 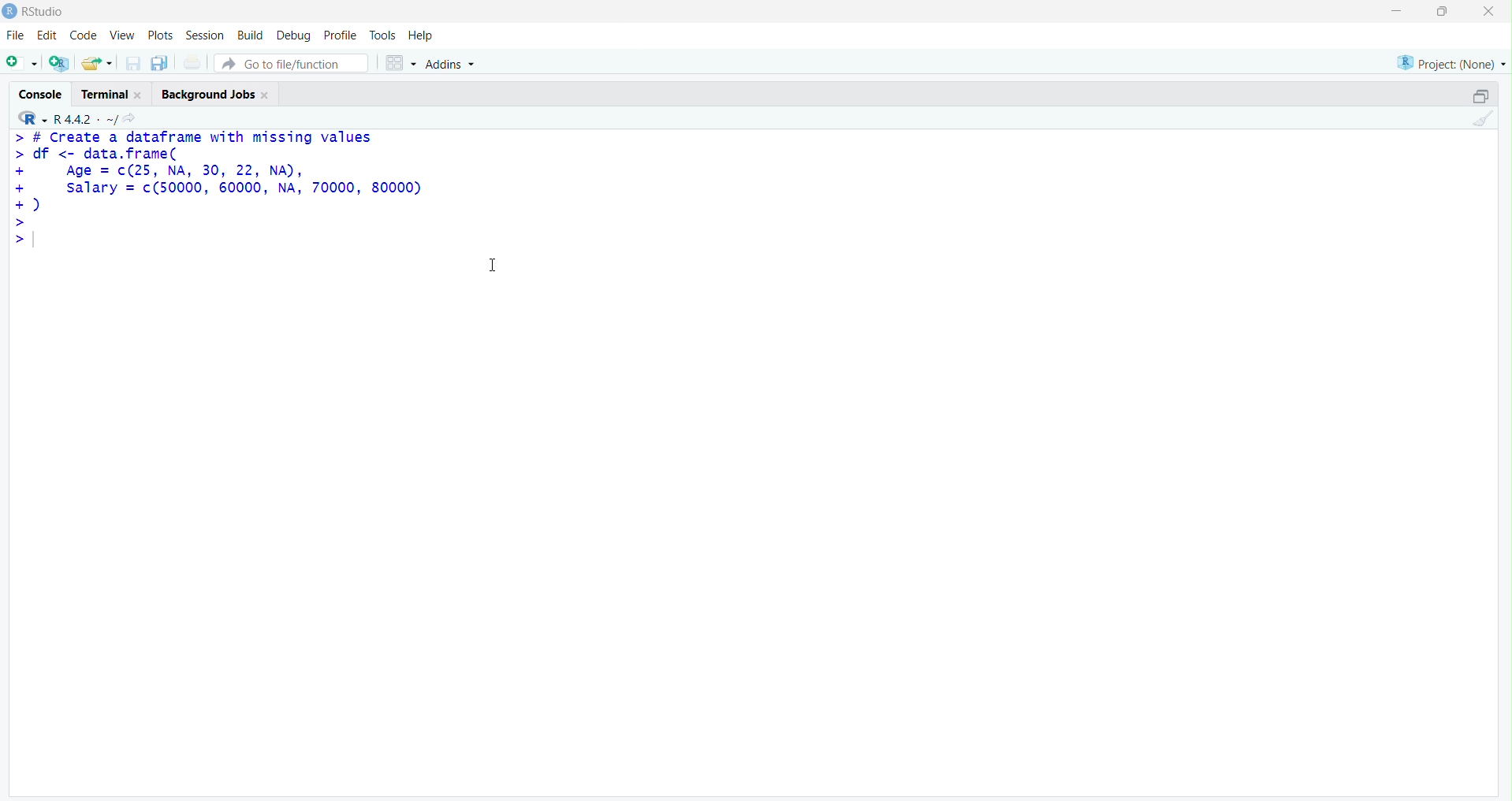 I want to click on , so click(x=289, y=60).